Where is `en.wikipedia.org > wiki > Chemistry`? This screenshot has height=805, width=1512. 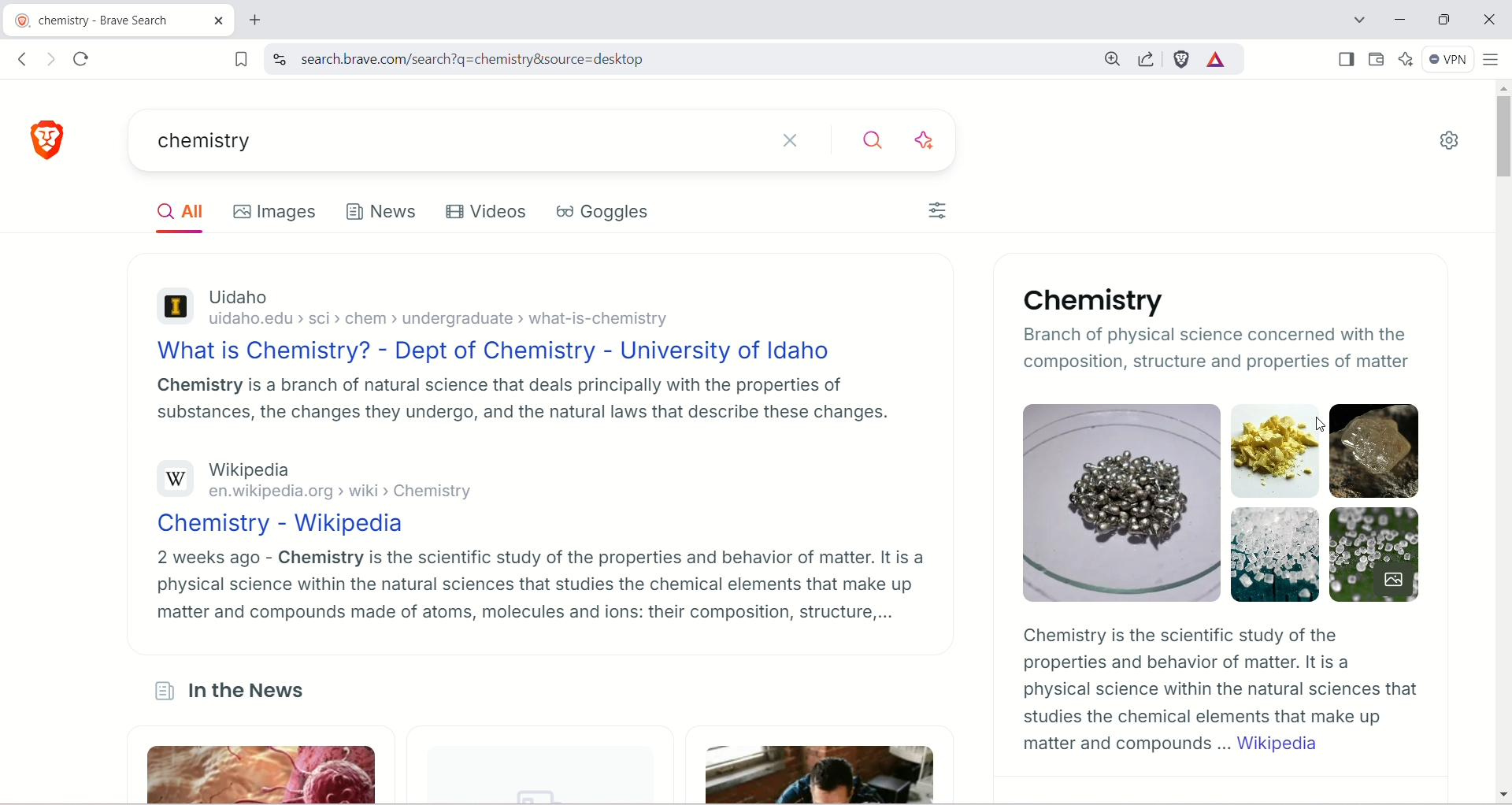
en.wikipedia.org > wiki > Chemistry is located at coordinates (342, 493).